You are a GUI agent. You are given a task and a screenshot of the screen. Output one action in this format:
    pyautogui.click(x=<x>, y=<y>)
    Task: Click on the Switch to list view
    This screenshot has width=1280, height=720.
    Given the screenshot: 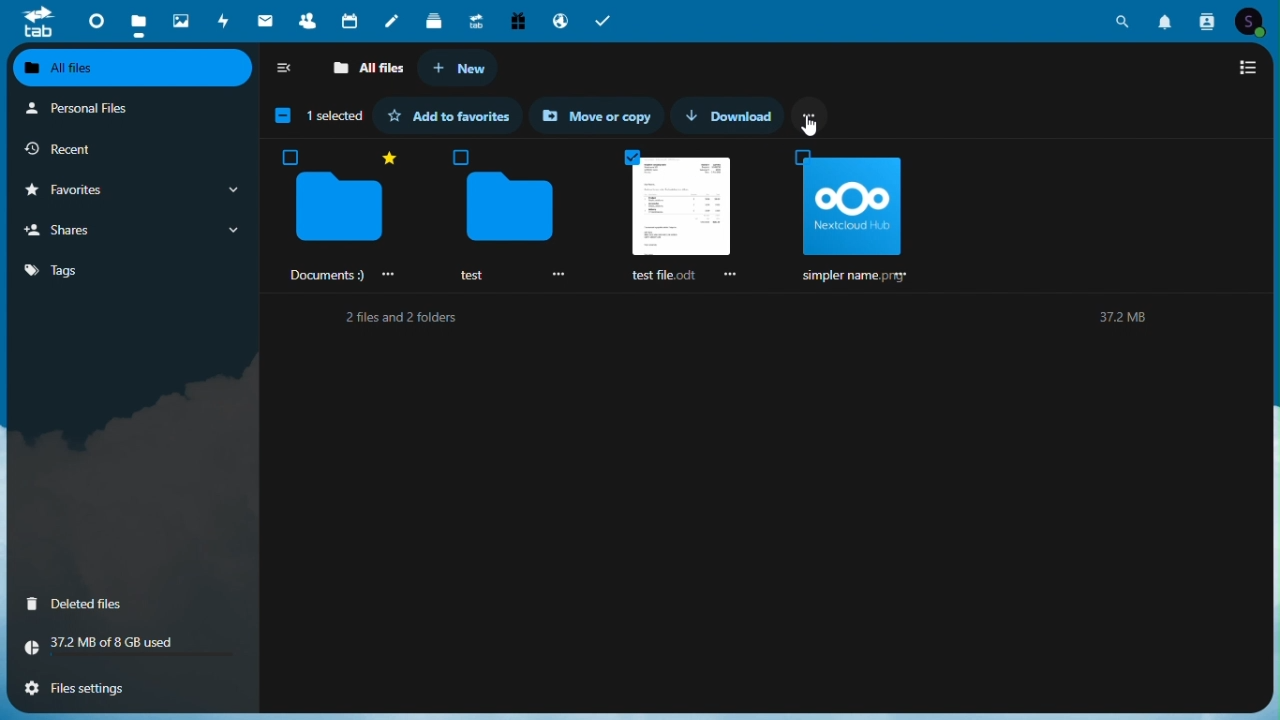 What is the action you would take?
    pyautogui.click(x=1243, y=67)
    